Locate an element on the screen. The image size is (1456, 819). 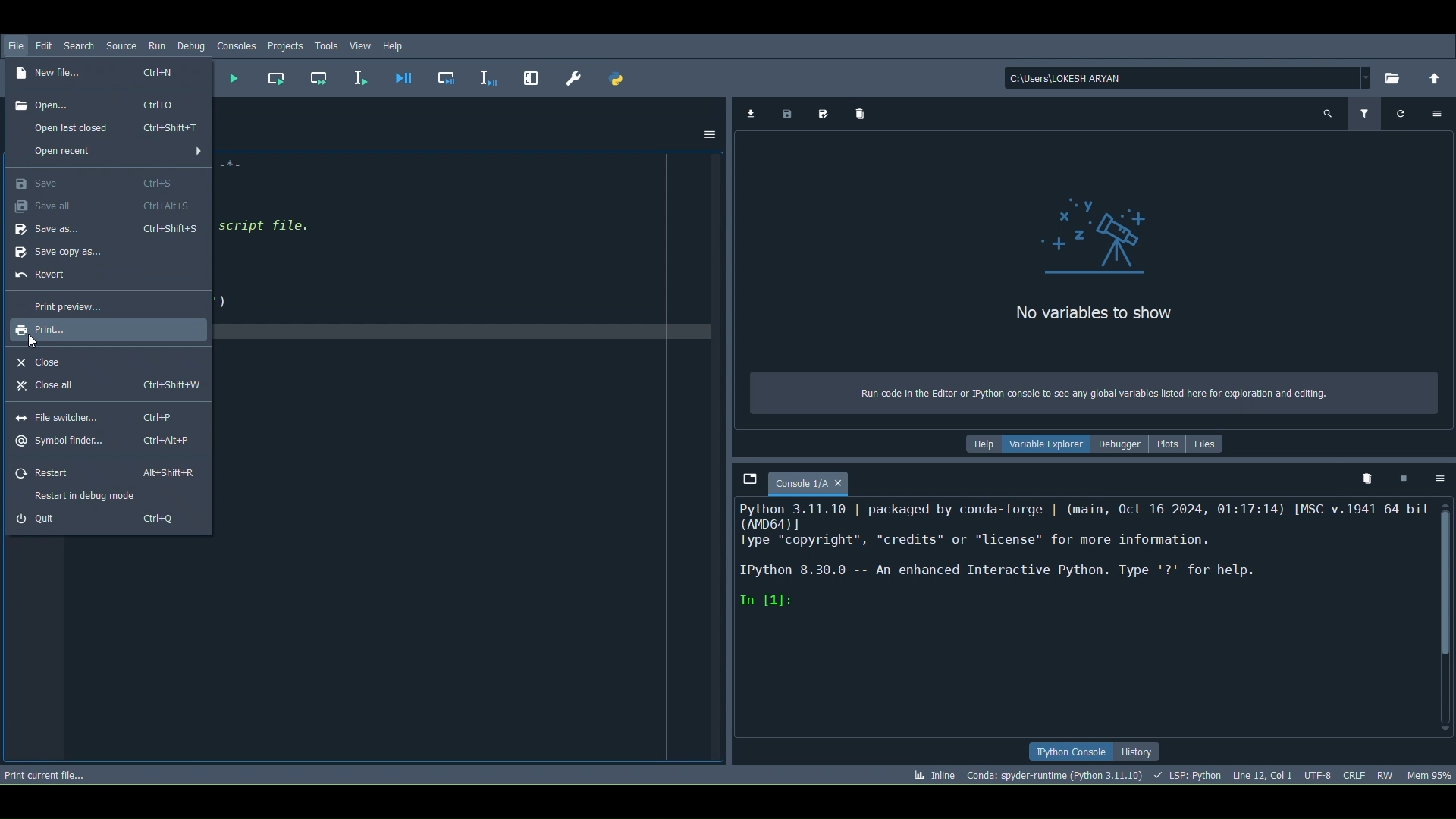
Run selection or current line (F9) is located at coordinates (362, 76).